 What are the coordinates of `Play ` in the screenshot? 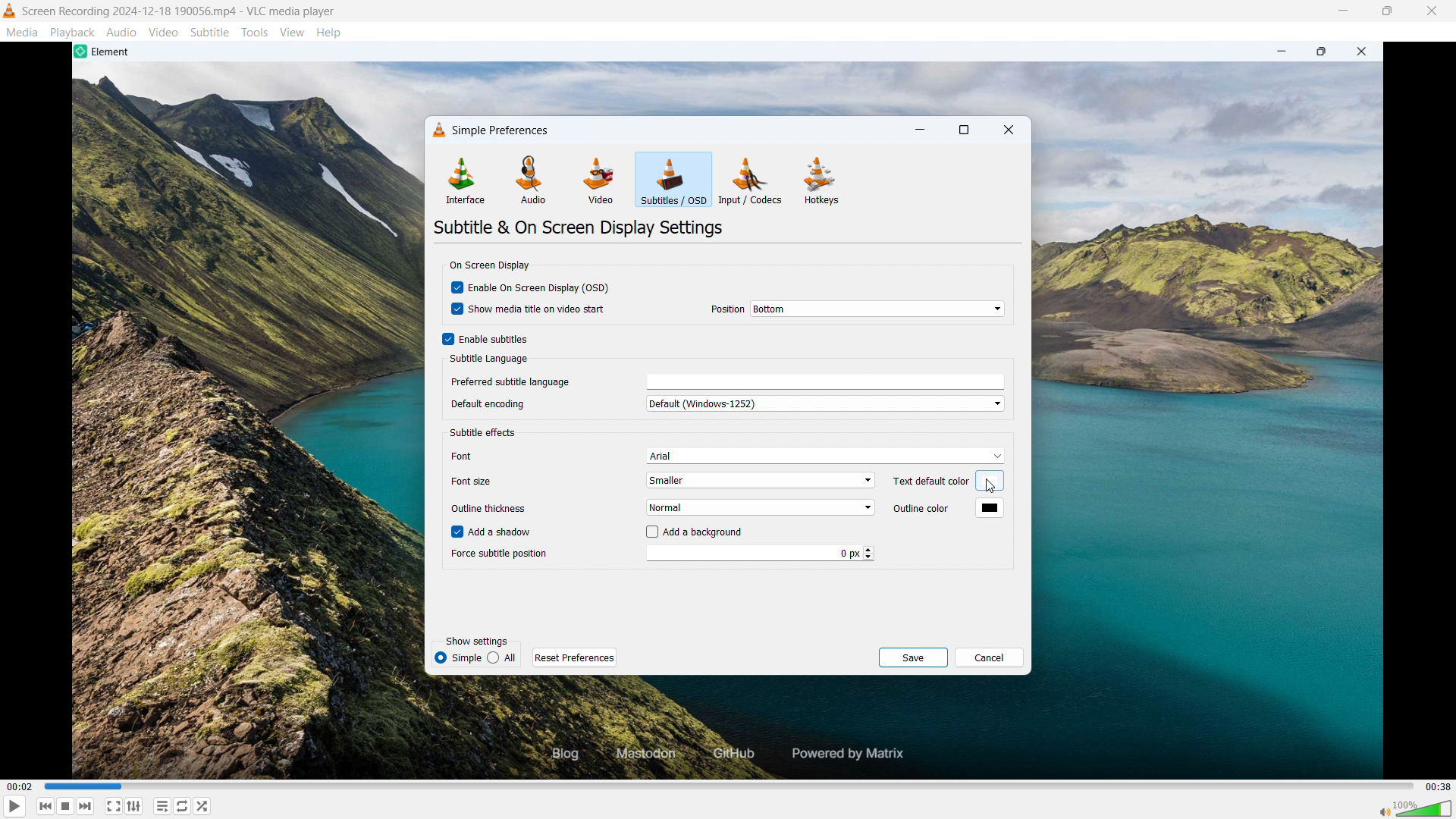 It's located at (14, 806).